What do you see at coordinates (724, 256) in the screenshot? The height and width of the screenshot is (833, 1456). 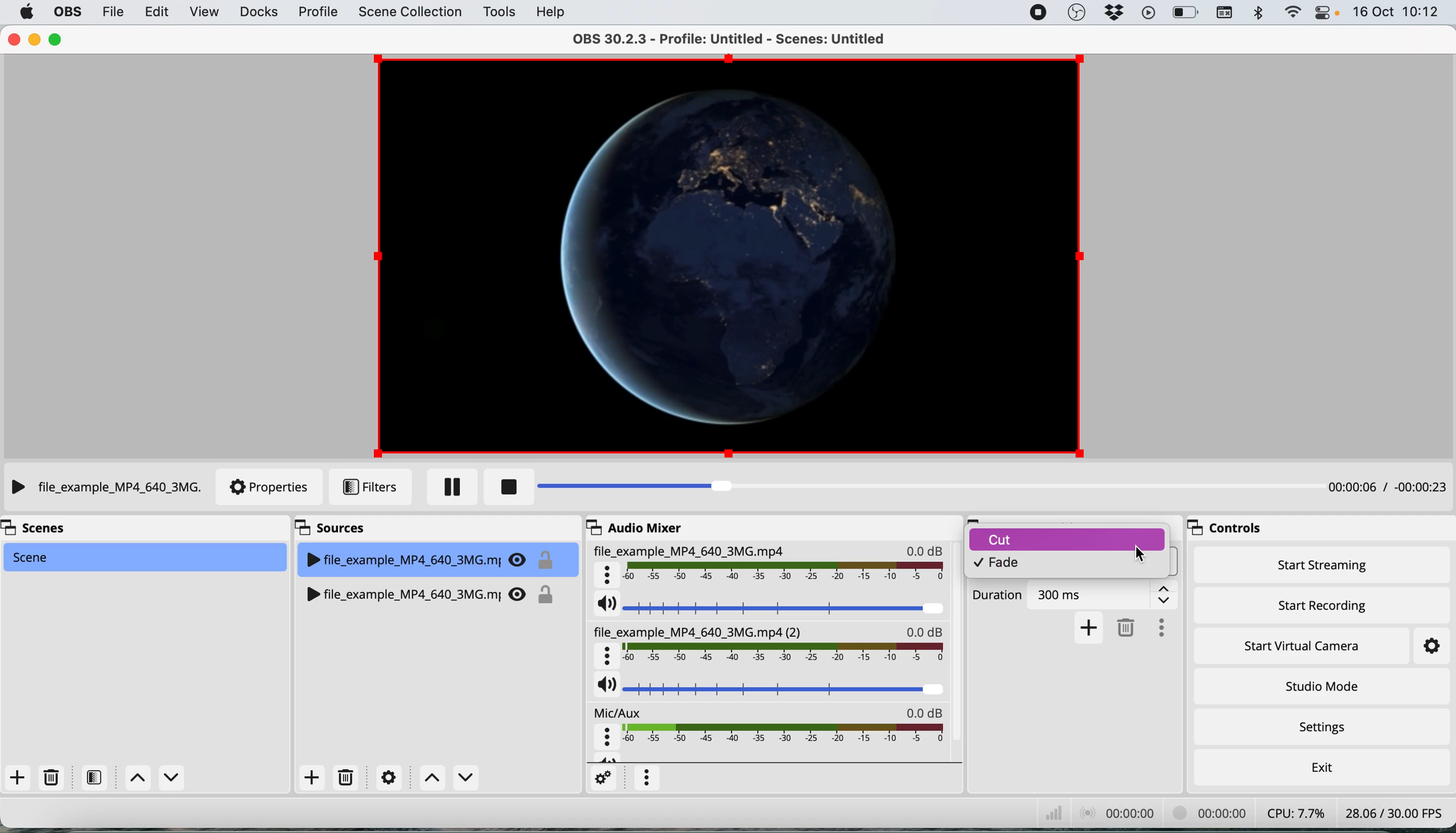 I see `current source preview` at bounding box center [724, 256].